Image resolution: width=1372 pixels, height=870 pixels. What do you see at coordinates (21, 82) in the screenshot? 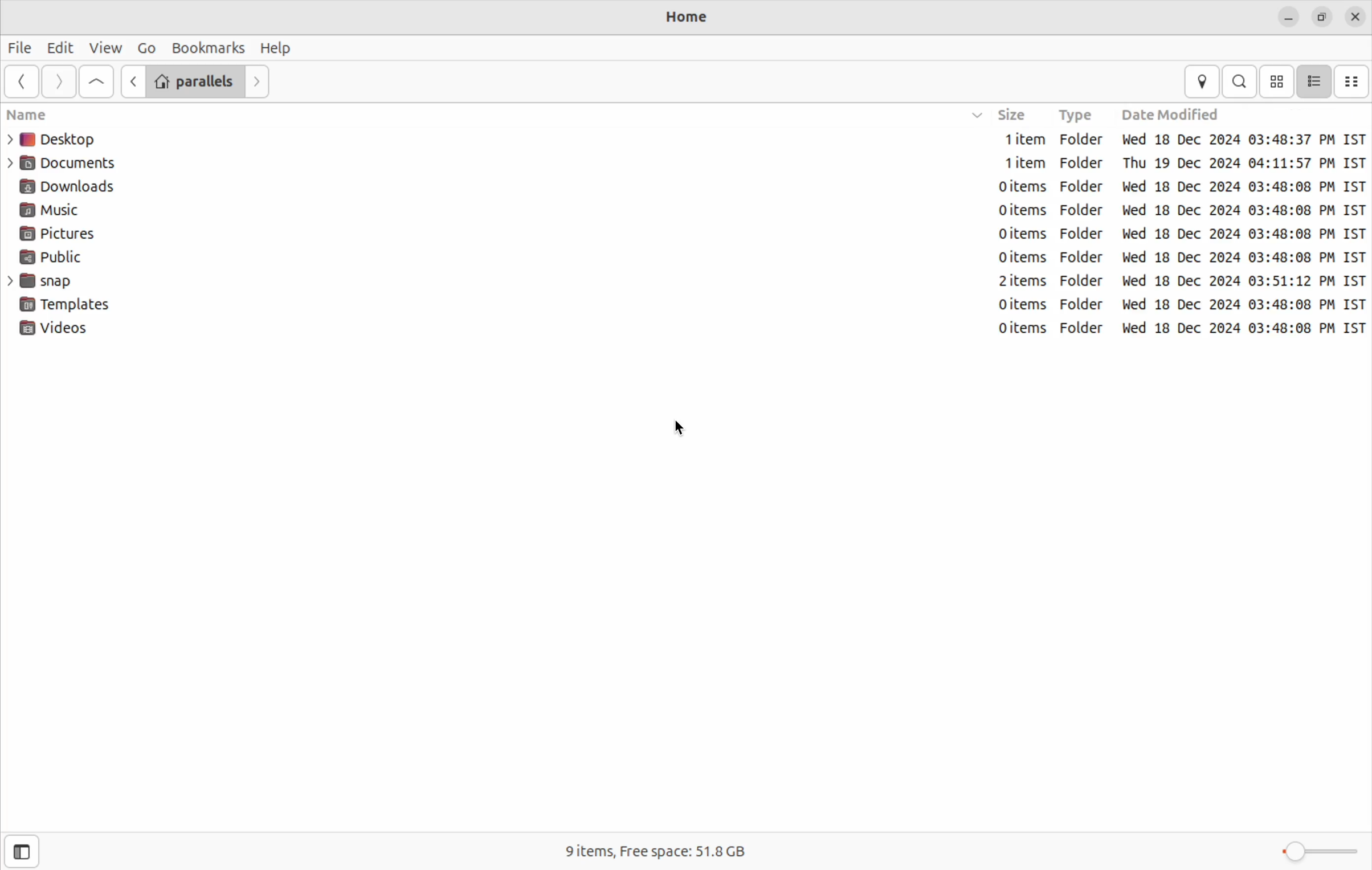
I see `Go previous` at bounding box center [21, 82].